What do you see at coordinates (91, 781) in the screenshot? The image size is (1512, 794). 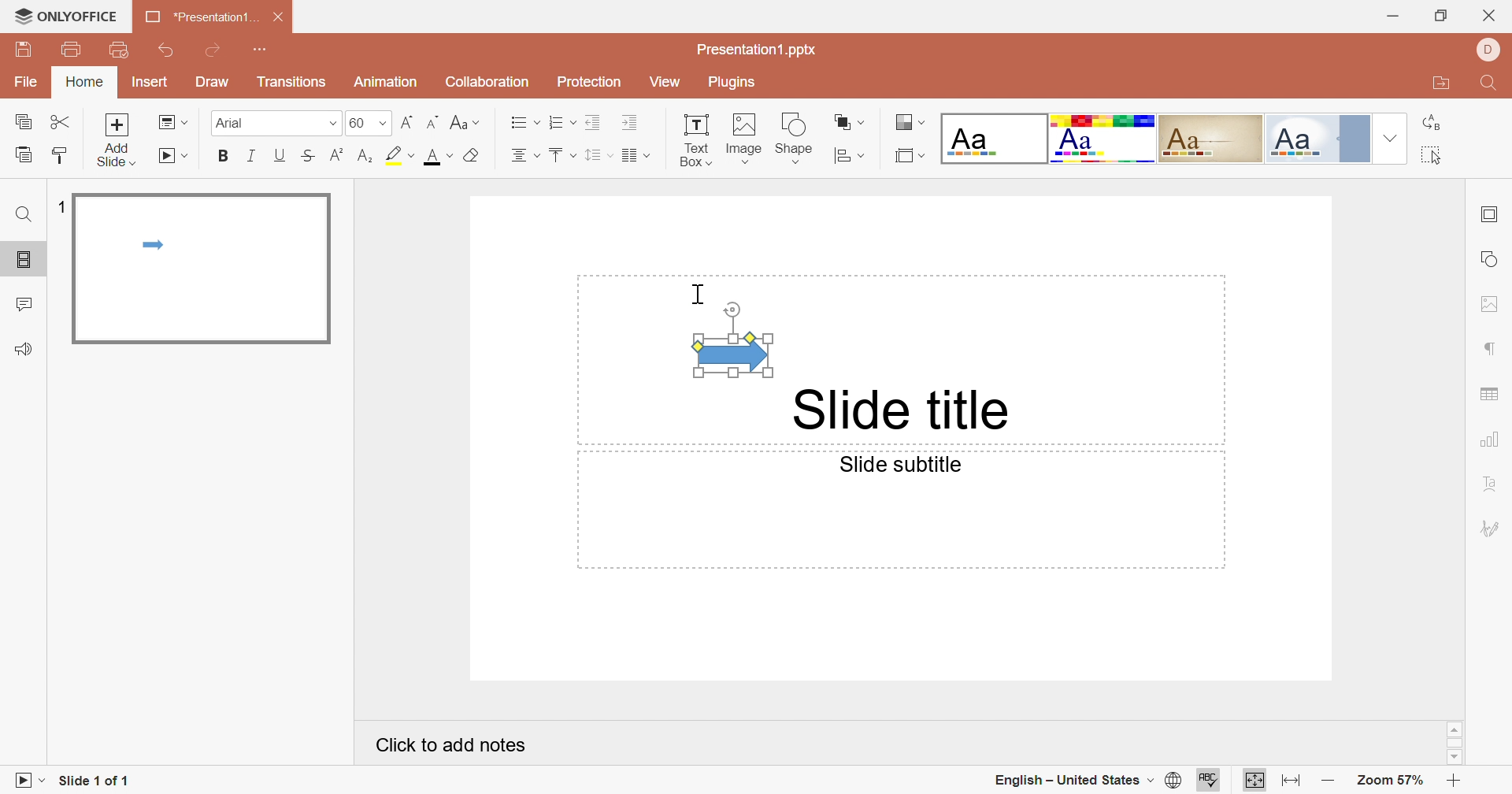 I see `Slide 1 of 1` at bounding box center [91, 781].